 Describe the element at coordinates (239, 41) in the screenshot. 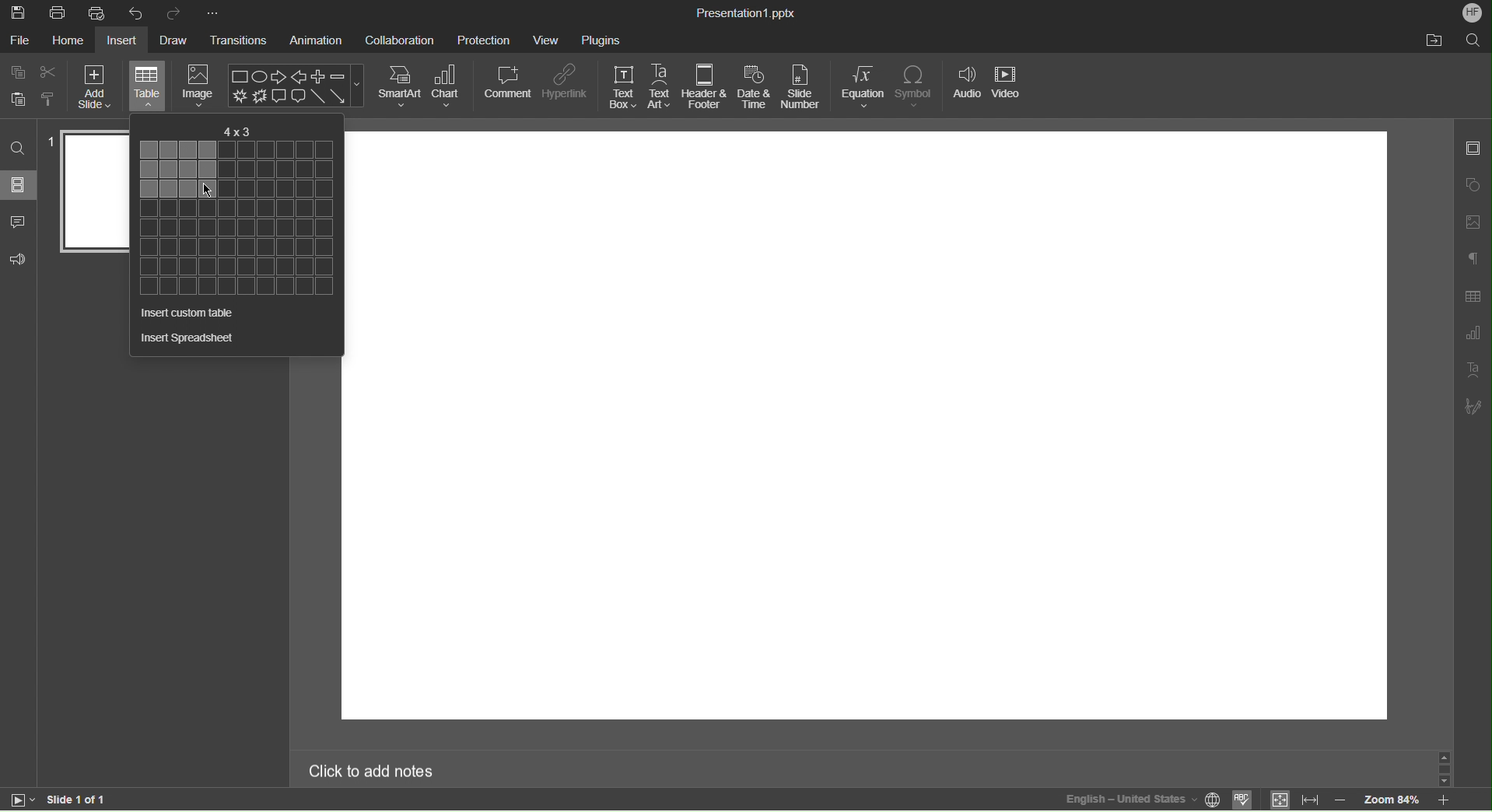

I see `Transitions` at that location.